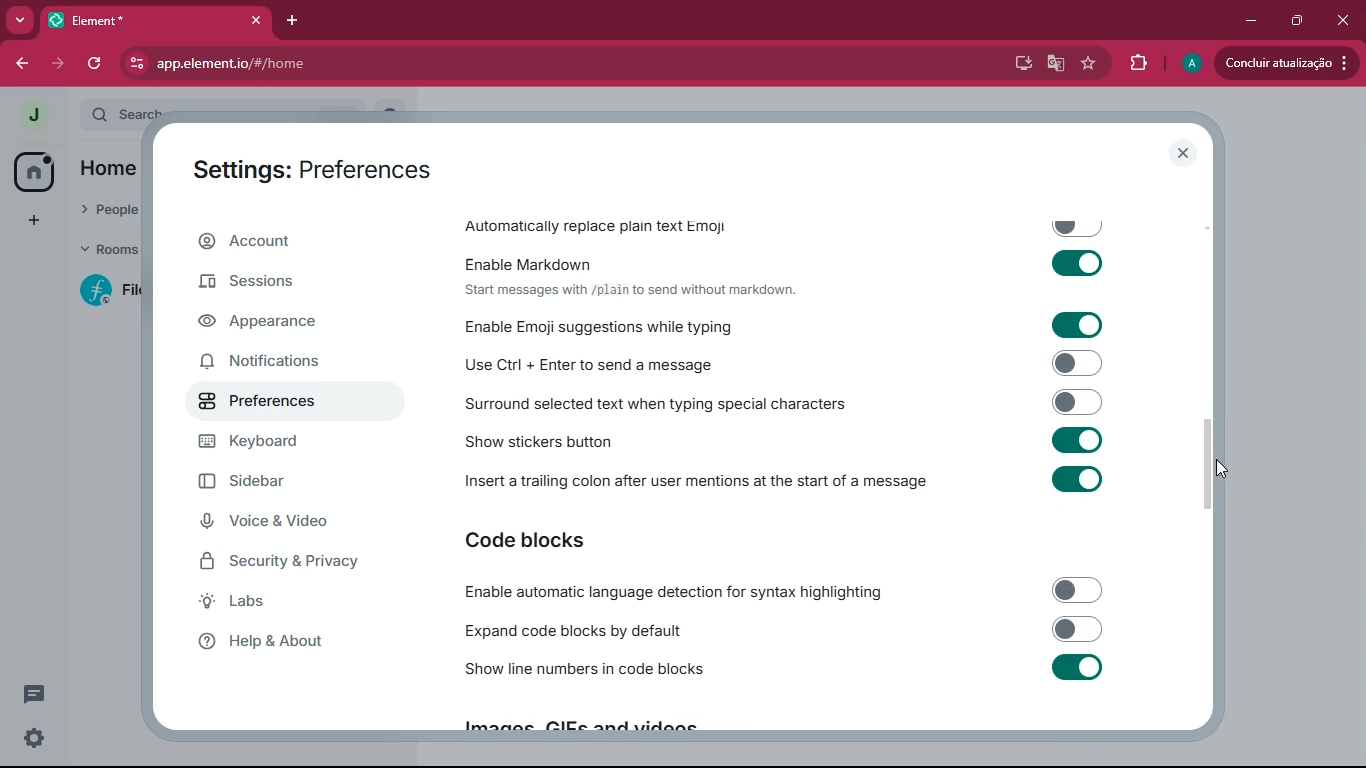 Image resolution: width=1366 pixels, height=768 pixels. I want to click on voice & video, so click(293, 521).